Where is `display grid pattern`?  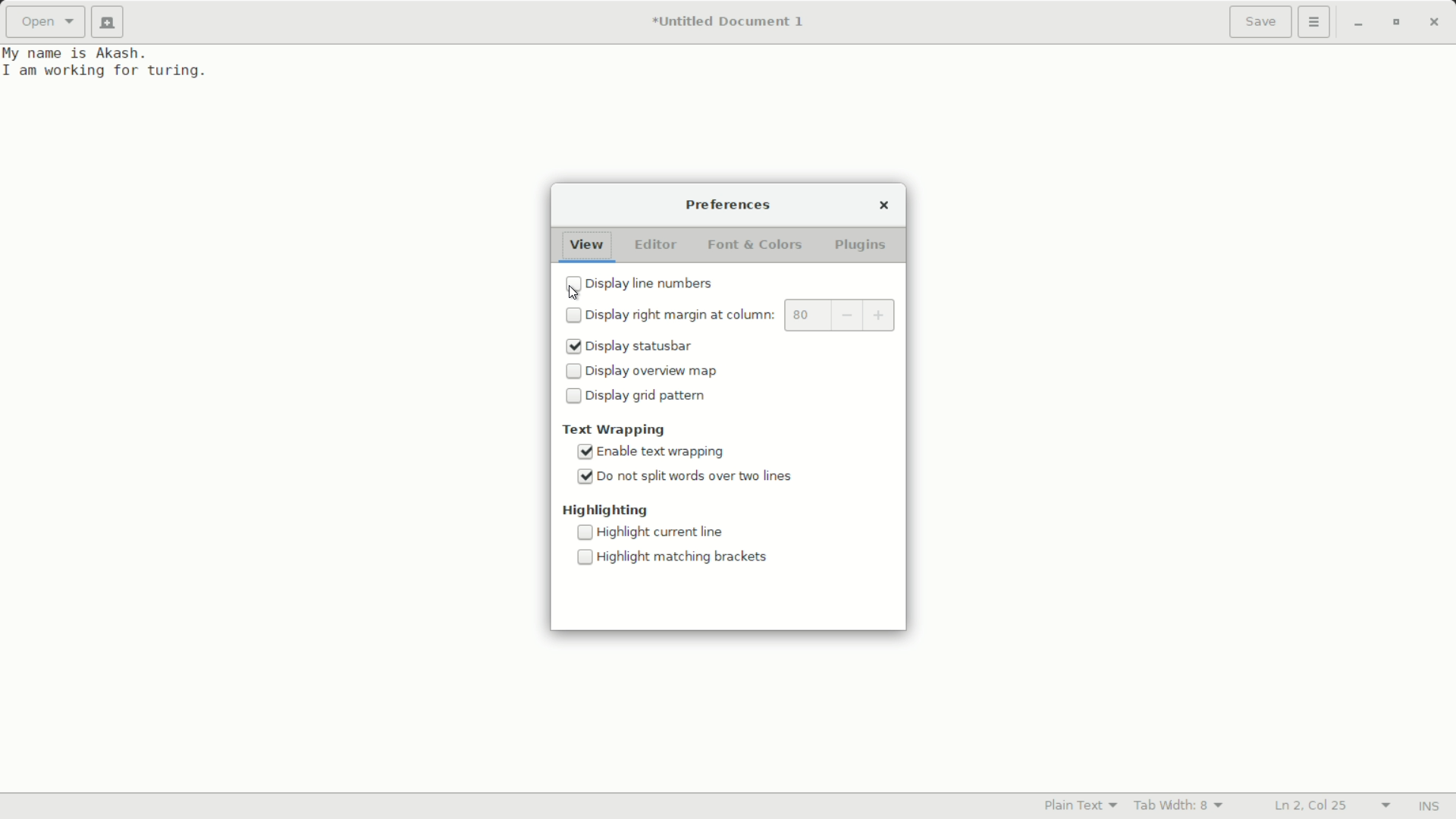 display grid pattern is located at coordinates (650, 395).